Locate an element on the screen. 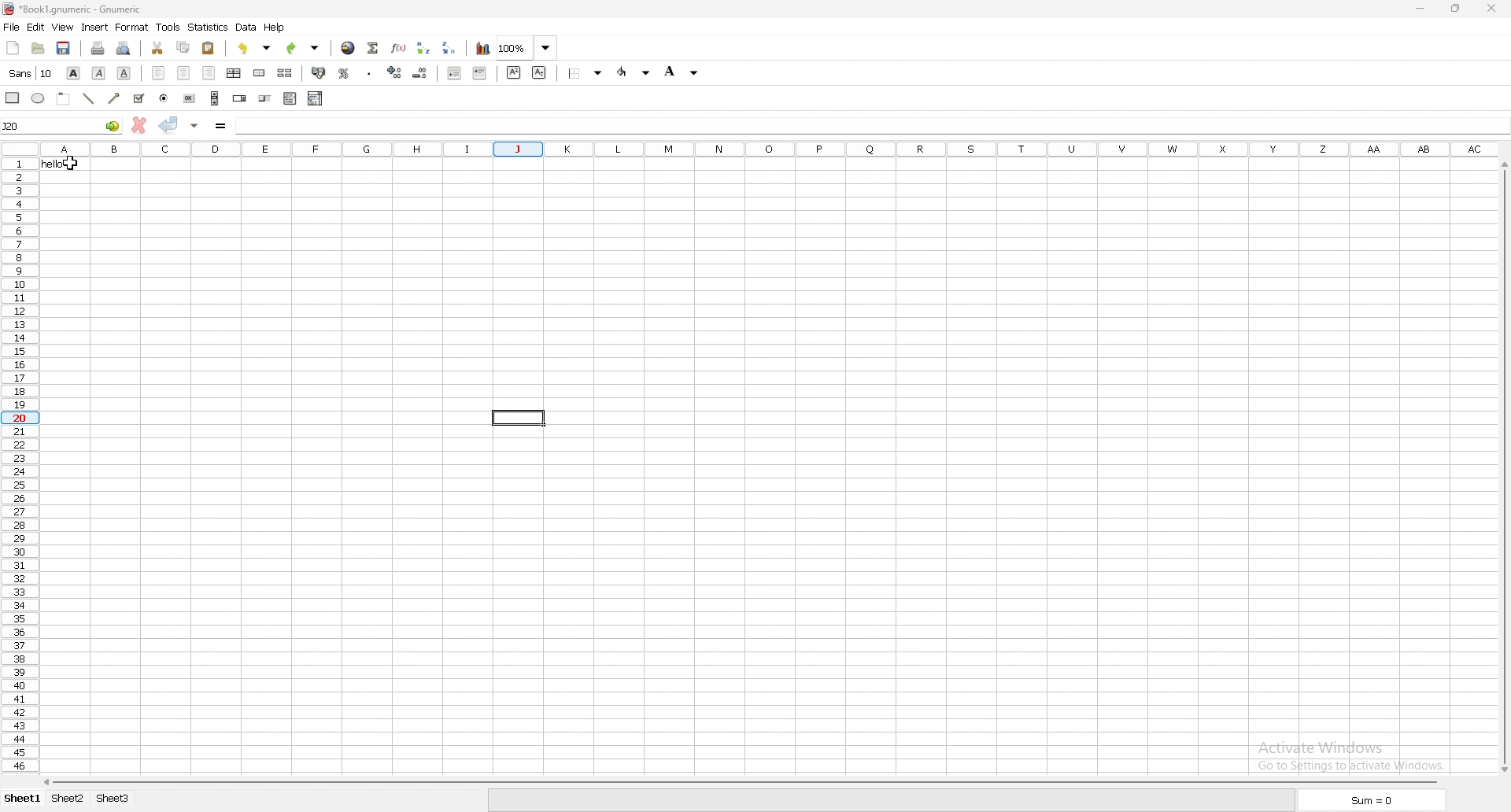 The width and height of the screenshot is (1511, 812). columns is located at coordinates (771, 147).